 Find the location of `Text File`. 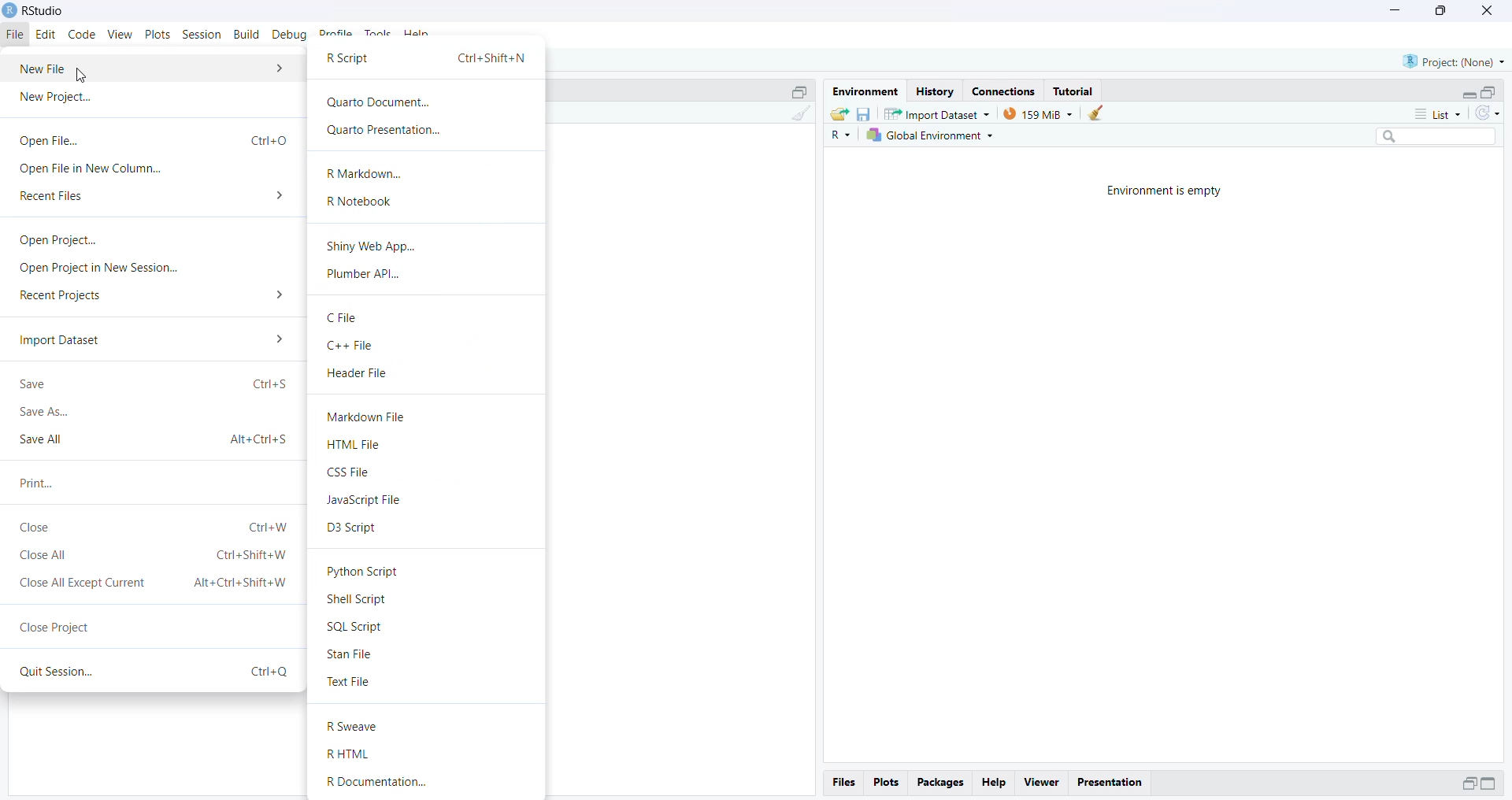

Text File is located at coordinates (350, 683).